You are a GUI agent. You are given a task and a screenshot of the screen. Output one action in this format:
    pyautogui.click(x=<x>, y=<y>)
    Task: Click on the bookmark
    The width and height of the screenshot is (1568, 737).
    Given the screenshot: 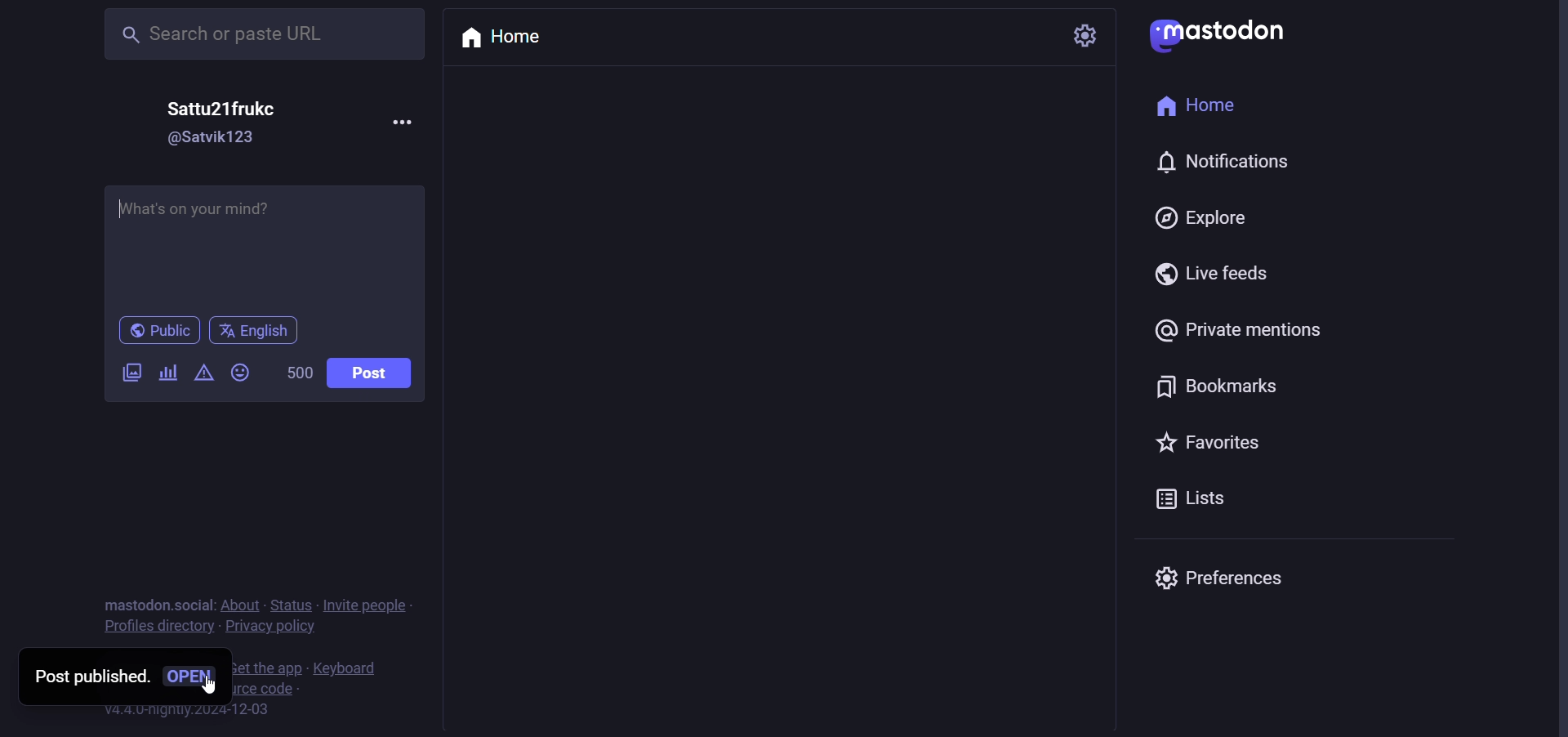 What is the action you would take?
    pyautogui.click(x=1208, y=384)
    